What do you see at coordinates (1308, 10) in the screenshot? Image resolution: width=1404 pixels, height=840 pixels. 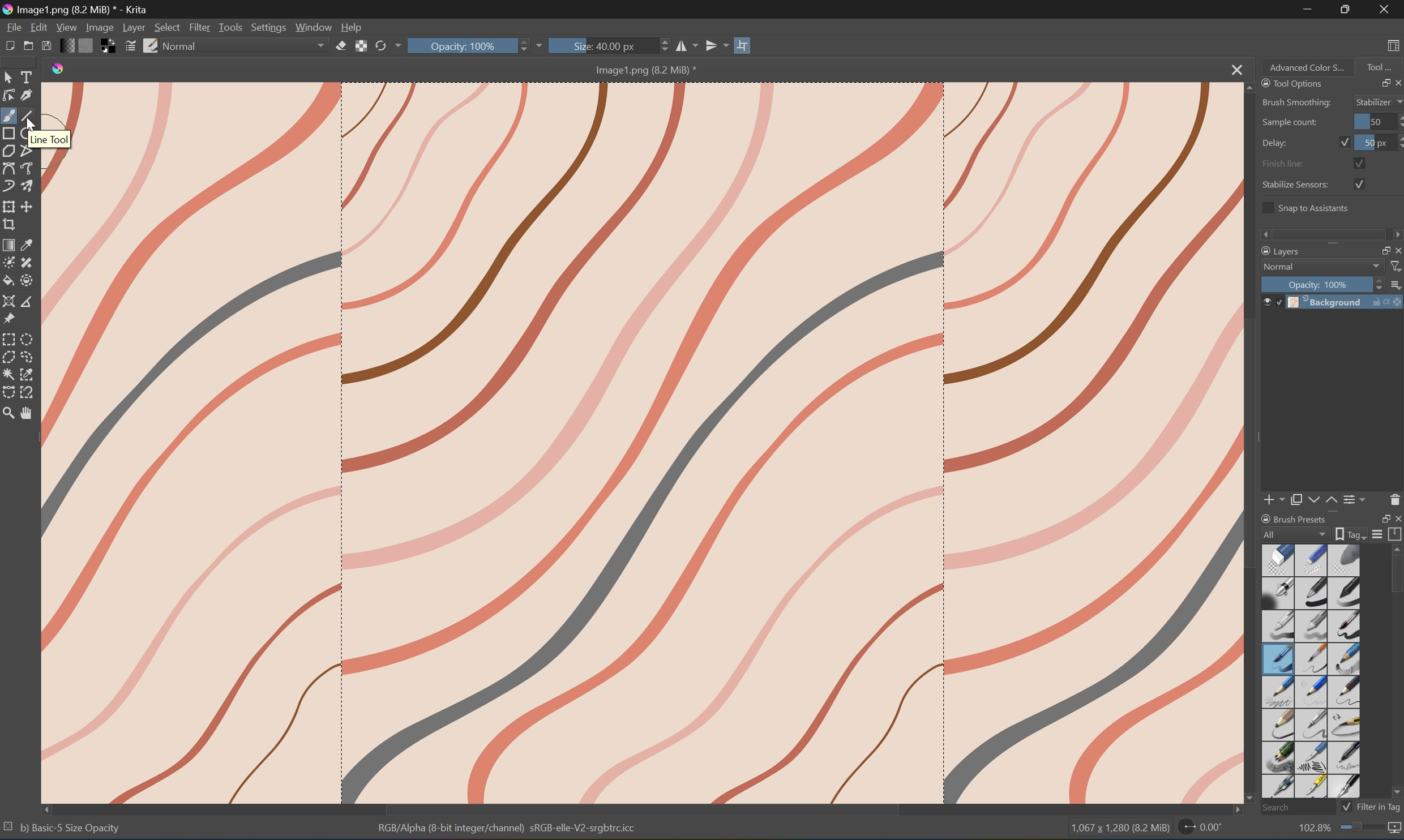 I see `Minimize` at bounding box center [1308, 10].